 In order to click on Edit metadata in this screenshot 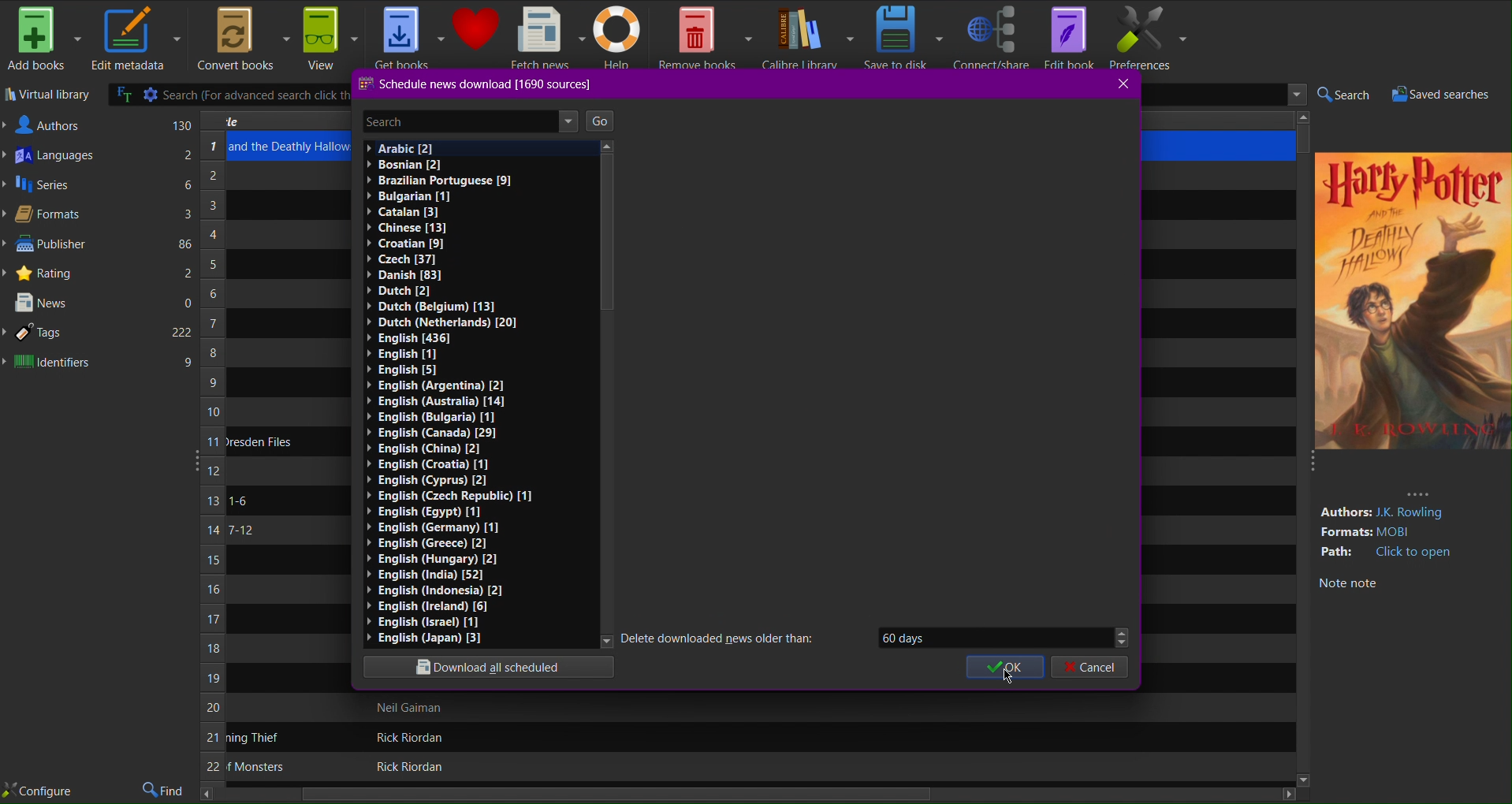, I will do `click(135, 40)`.